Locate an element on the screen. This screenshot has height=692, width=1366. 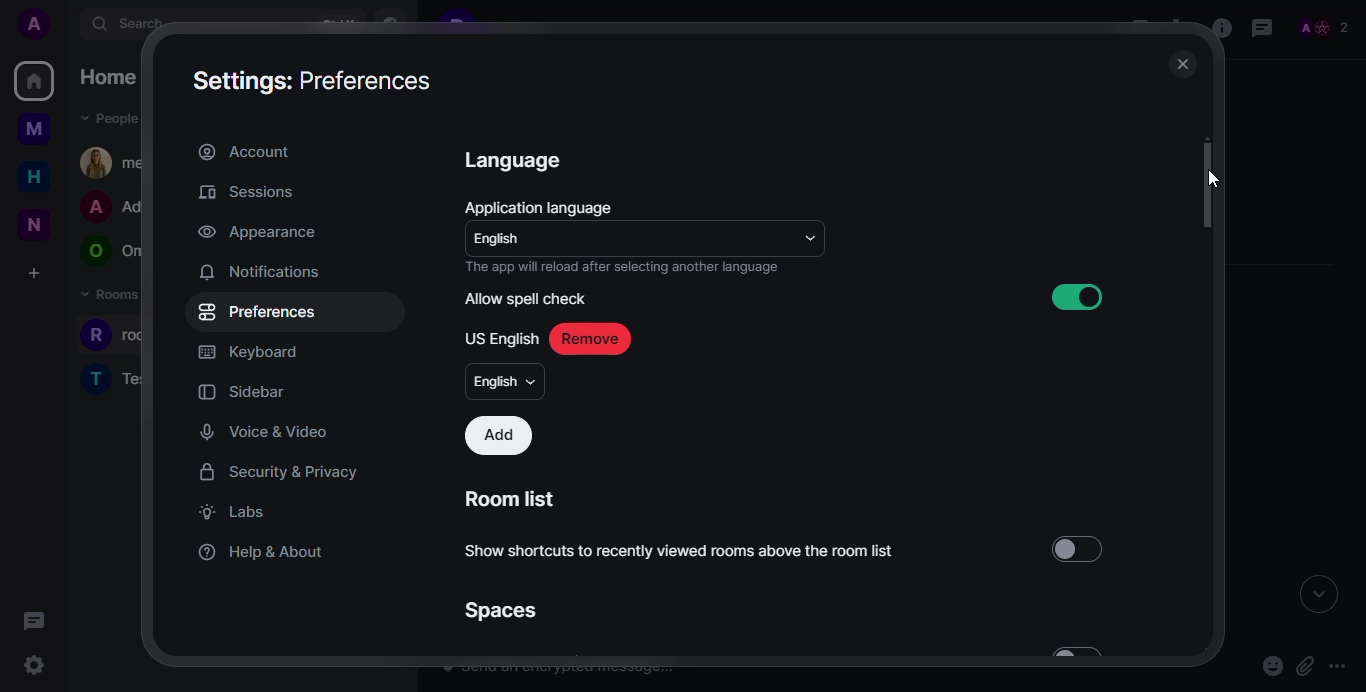
labs is located at coordinates (230, 511).